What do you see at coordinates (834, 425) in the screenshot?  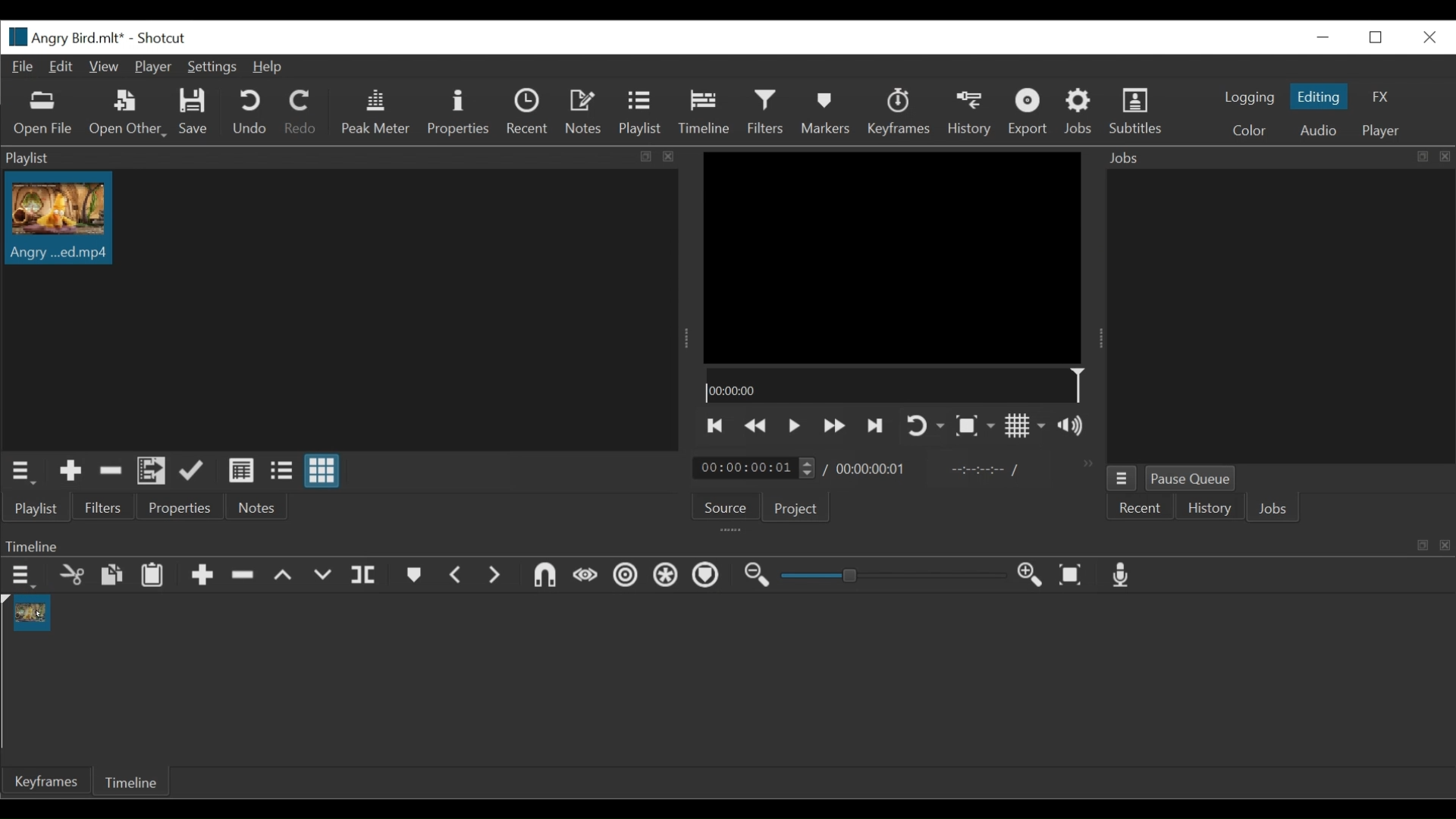 I see `Play forward quickly` at bounding box center [834, 425].